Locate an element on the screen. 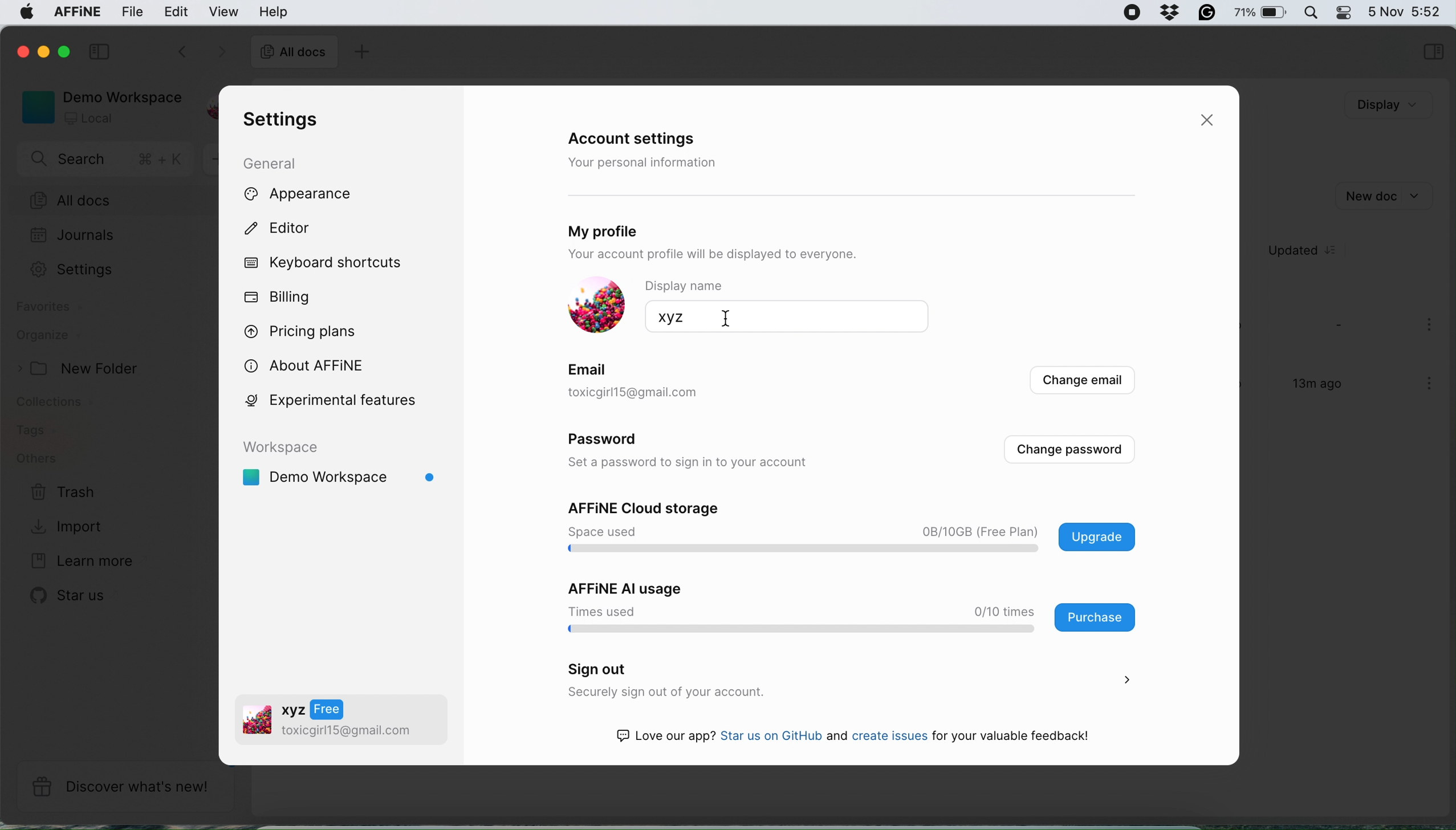  affine ai usage is located at coordinates (845, 607).